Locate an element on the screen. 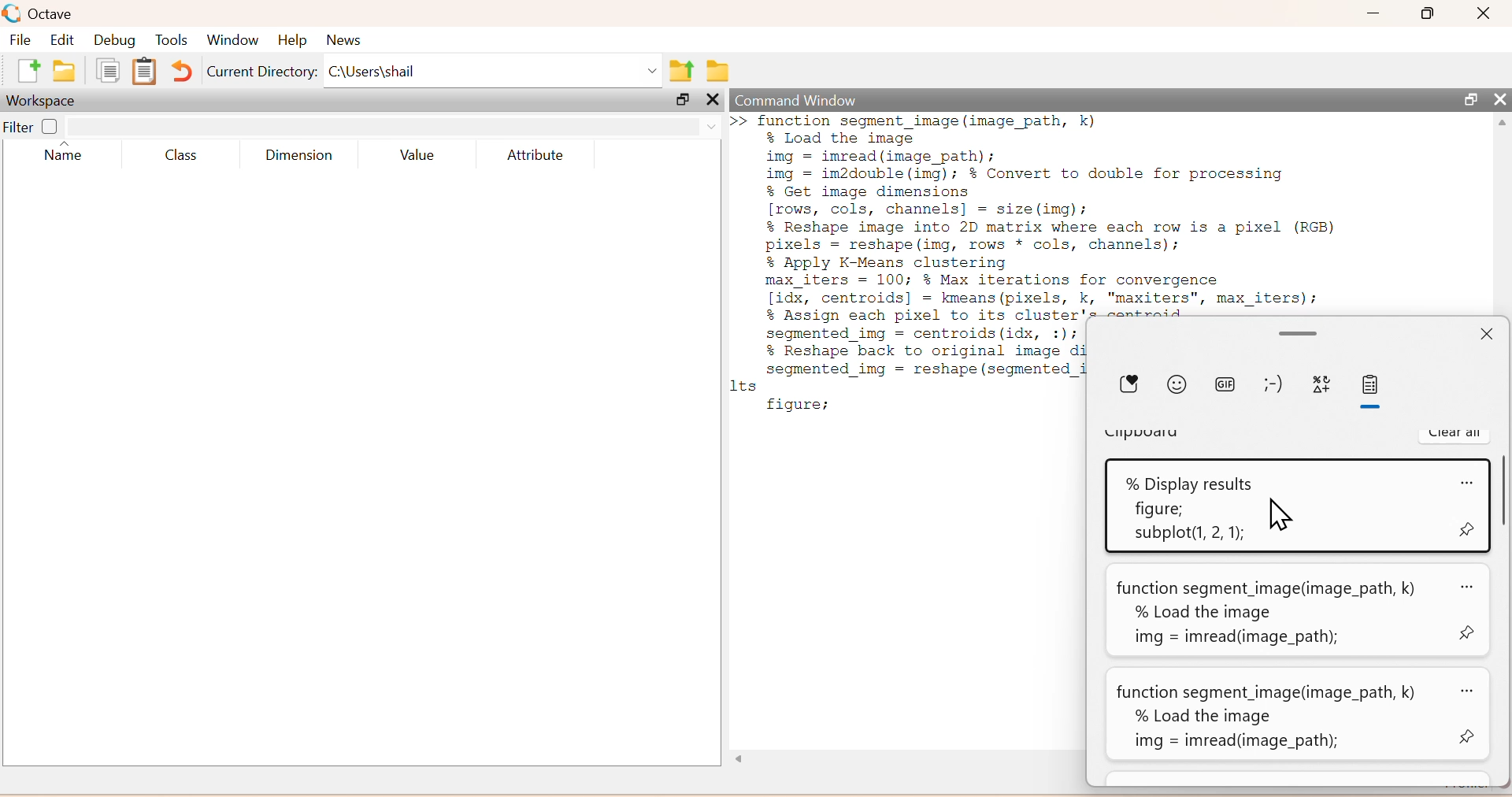 This screenshot has height=797, width=1512. Command Window is located at coordinates (801, 100).